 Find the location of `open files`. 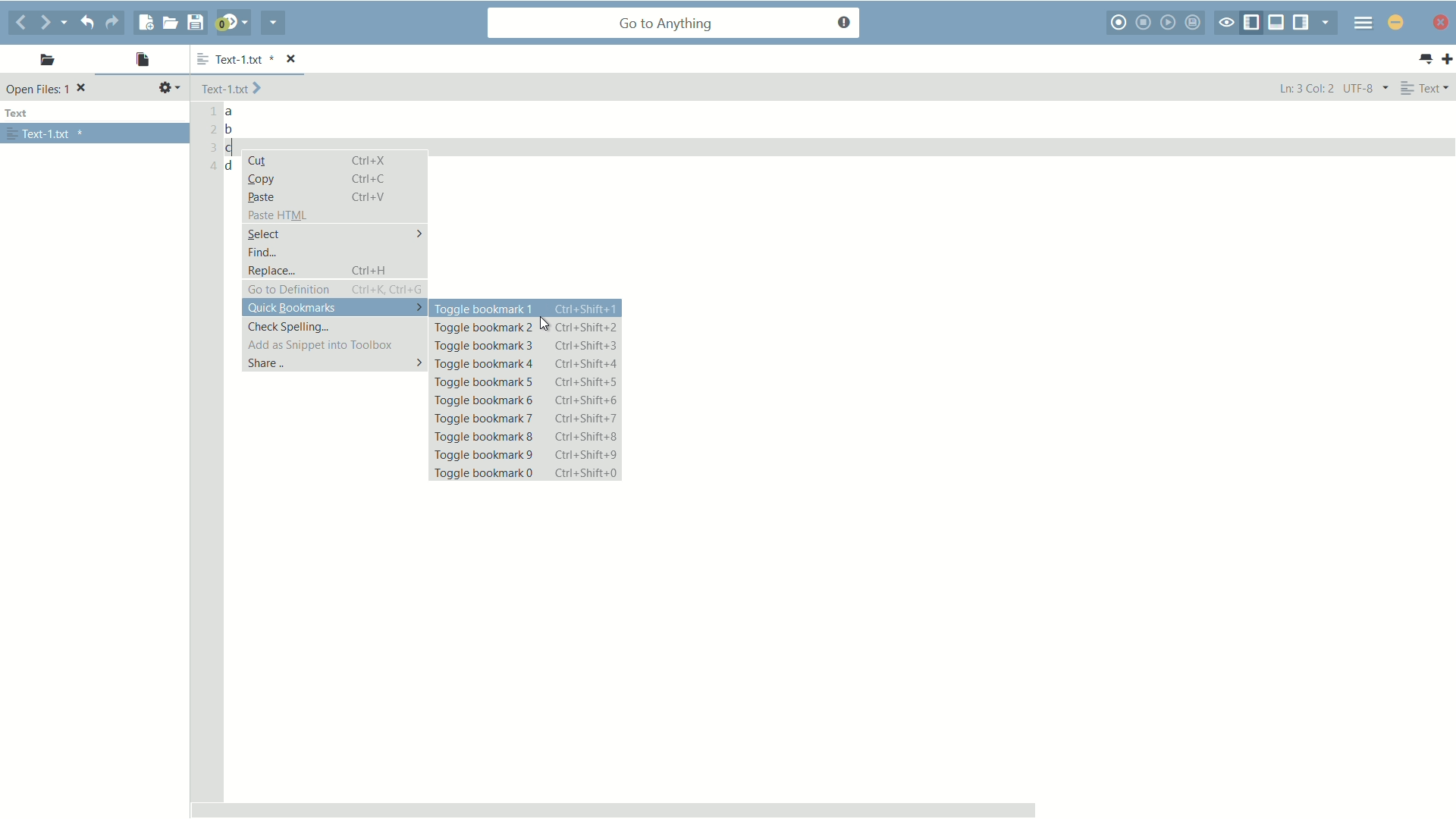

open files is located at coordinates (142, 60).